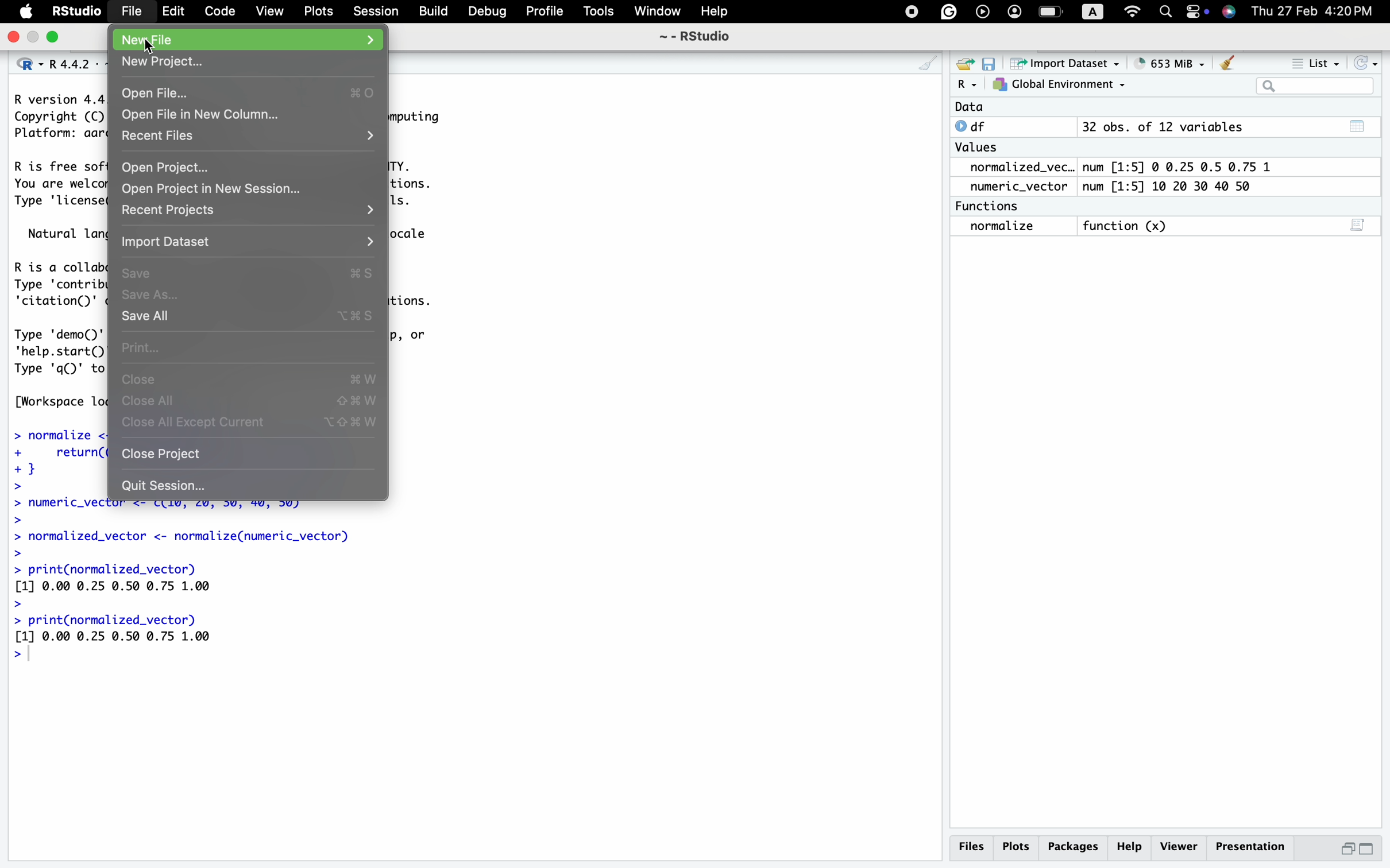  I want to click on Normalize, so click(1004, 227).